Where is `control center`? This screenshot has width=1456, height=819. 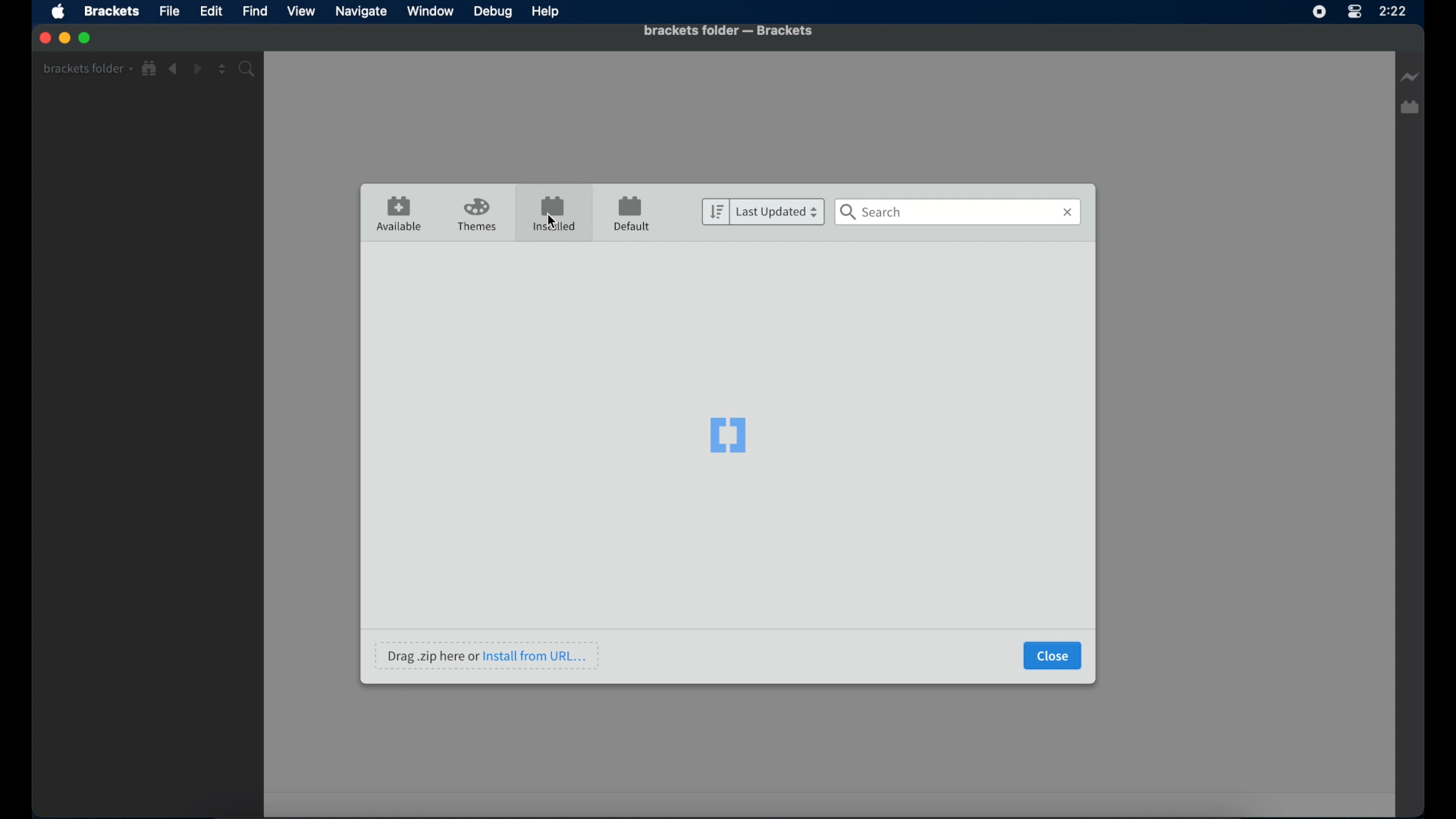 control center is located at coordinates (1354, 12).